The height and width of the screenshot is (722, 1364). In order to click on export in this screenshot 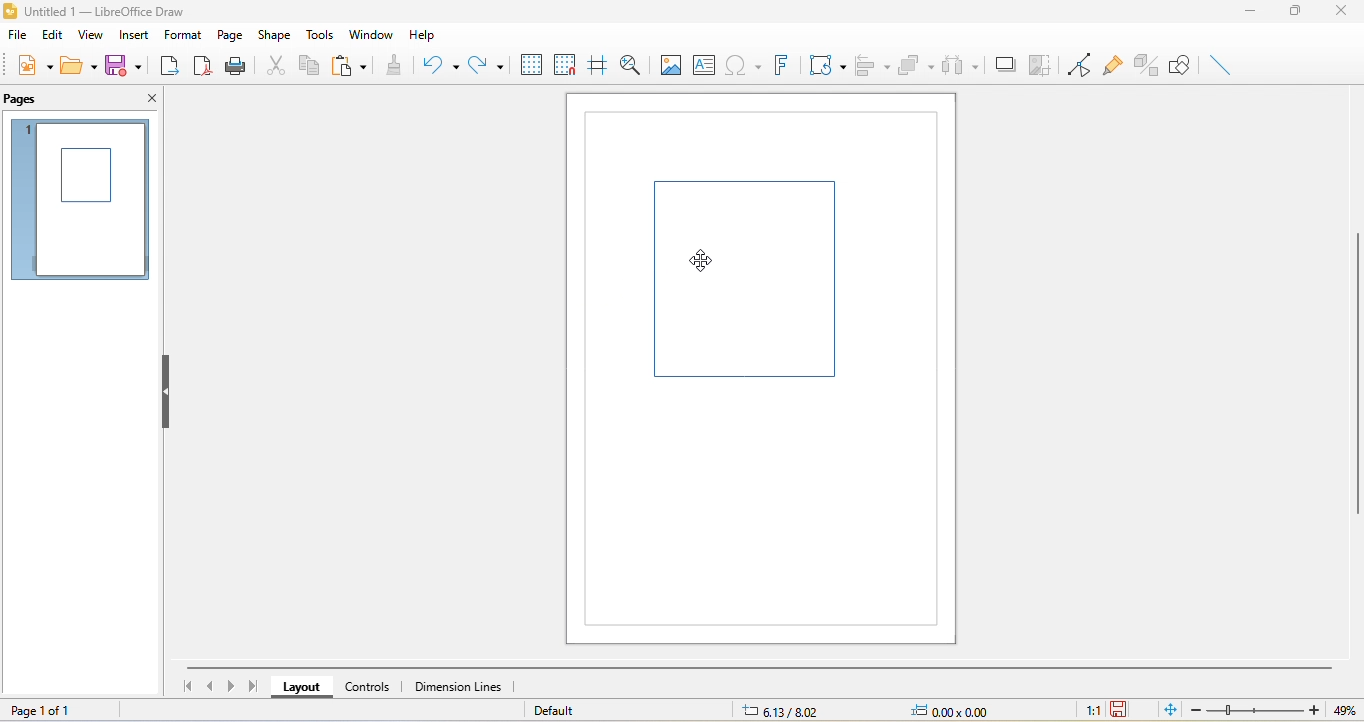, I will do `click(169, 68)`.